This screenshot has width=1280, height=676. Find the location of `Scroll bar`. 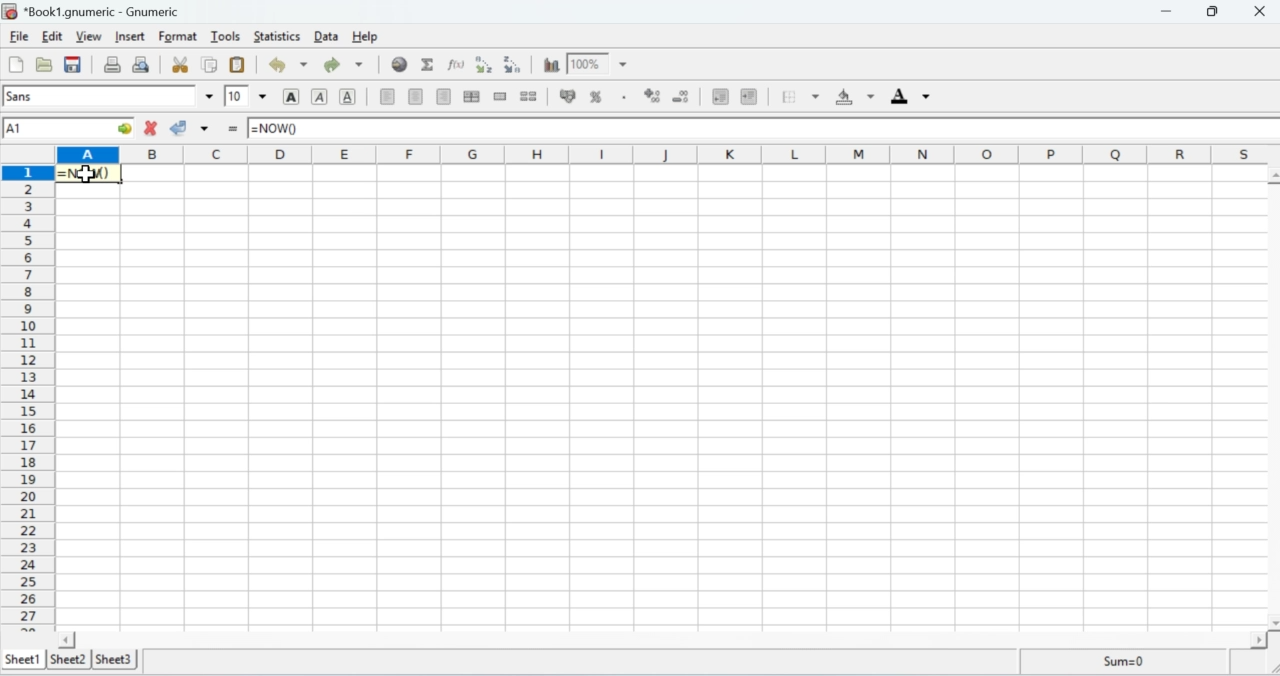

Scroll bar is located at coordinates (1267, 397).